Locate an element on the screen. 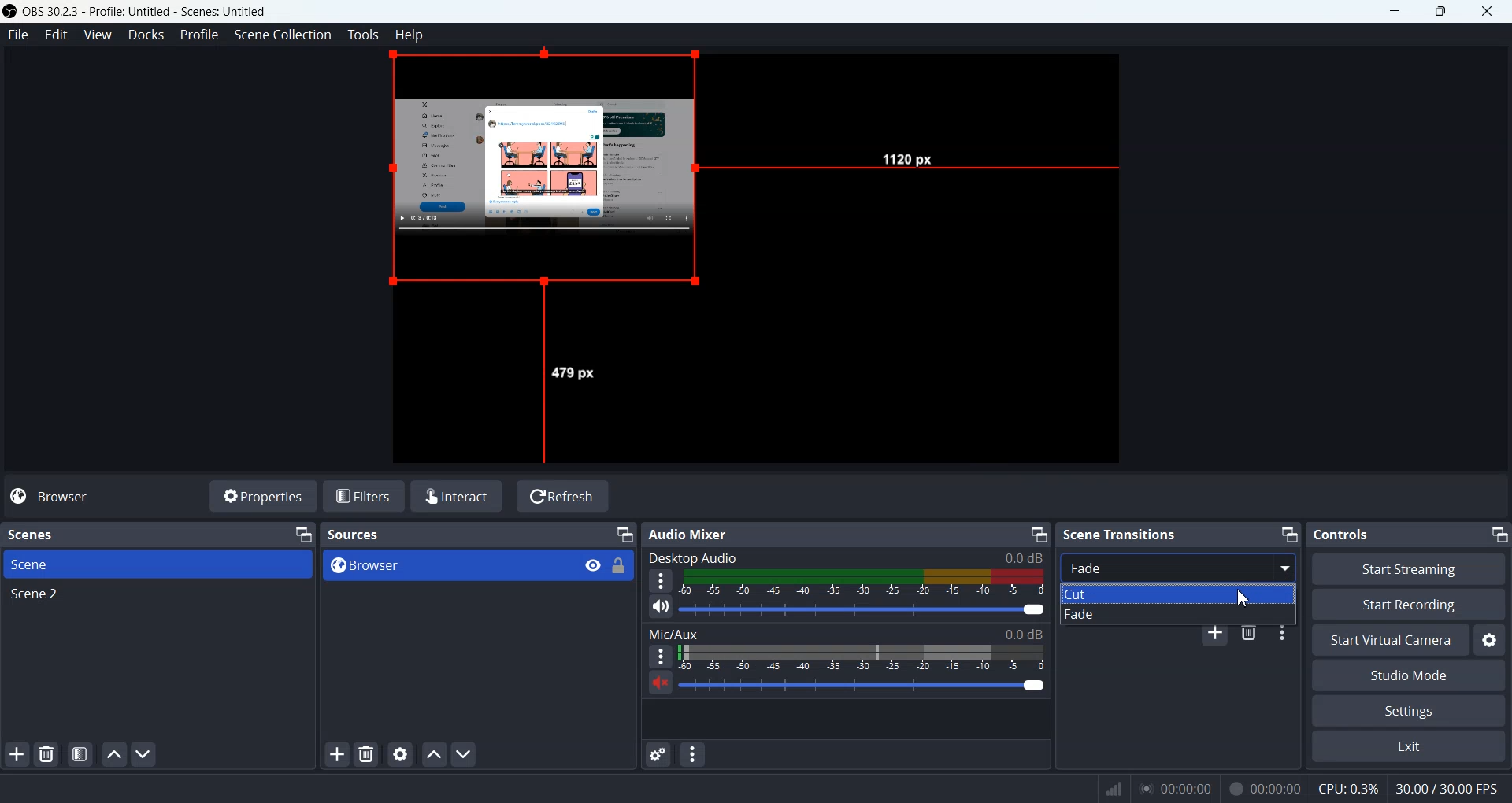  Scene is located at coordinates (157, 564).